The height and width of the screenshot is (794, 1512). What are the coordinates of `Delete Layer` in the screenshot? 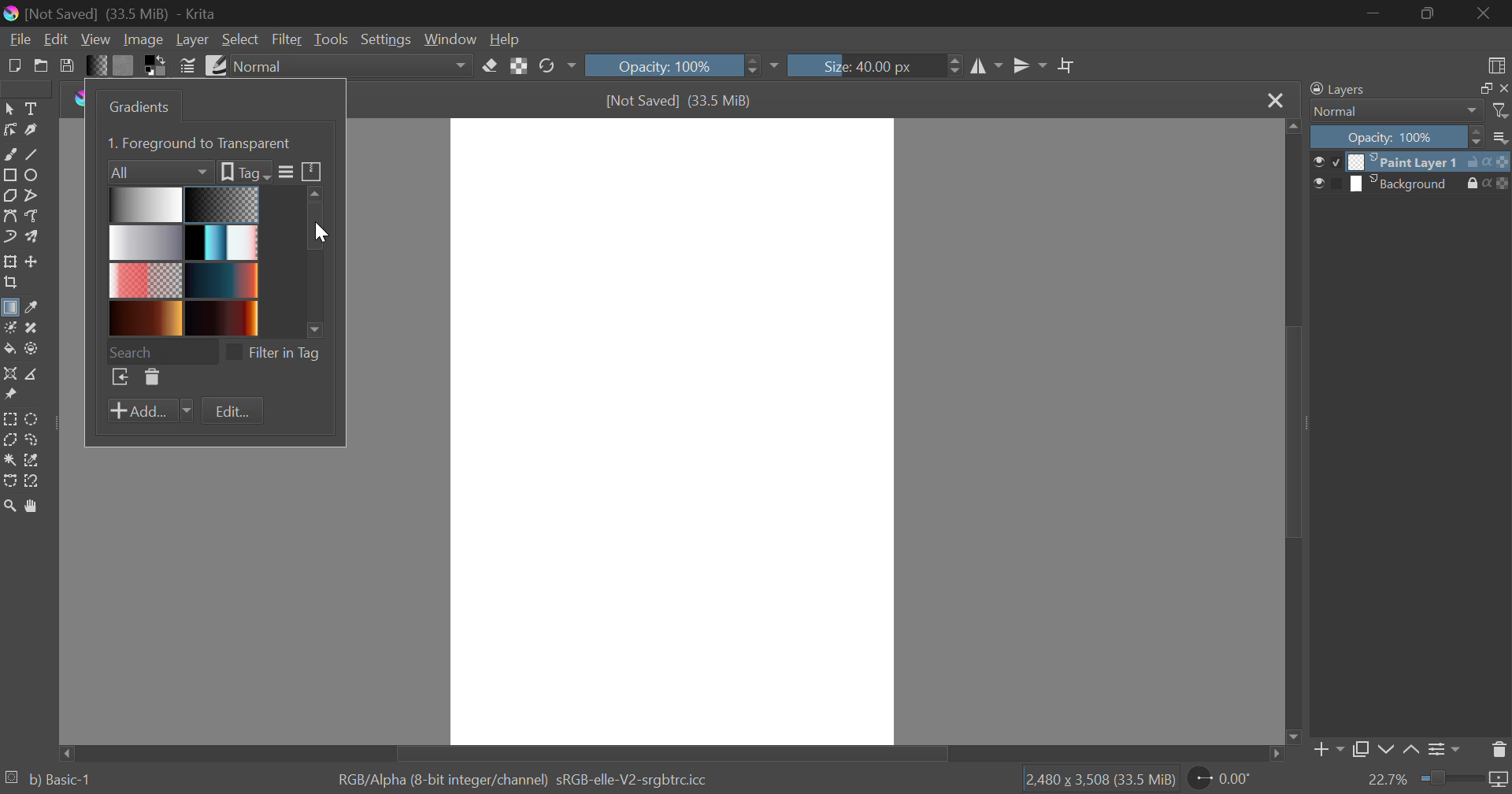 It's located at (1499, 748).